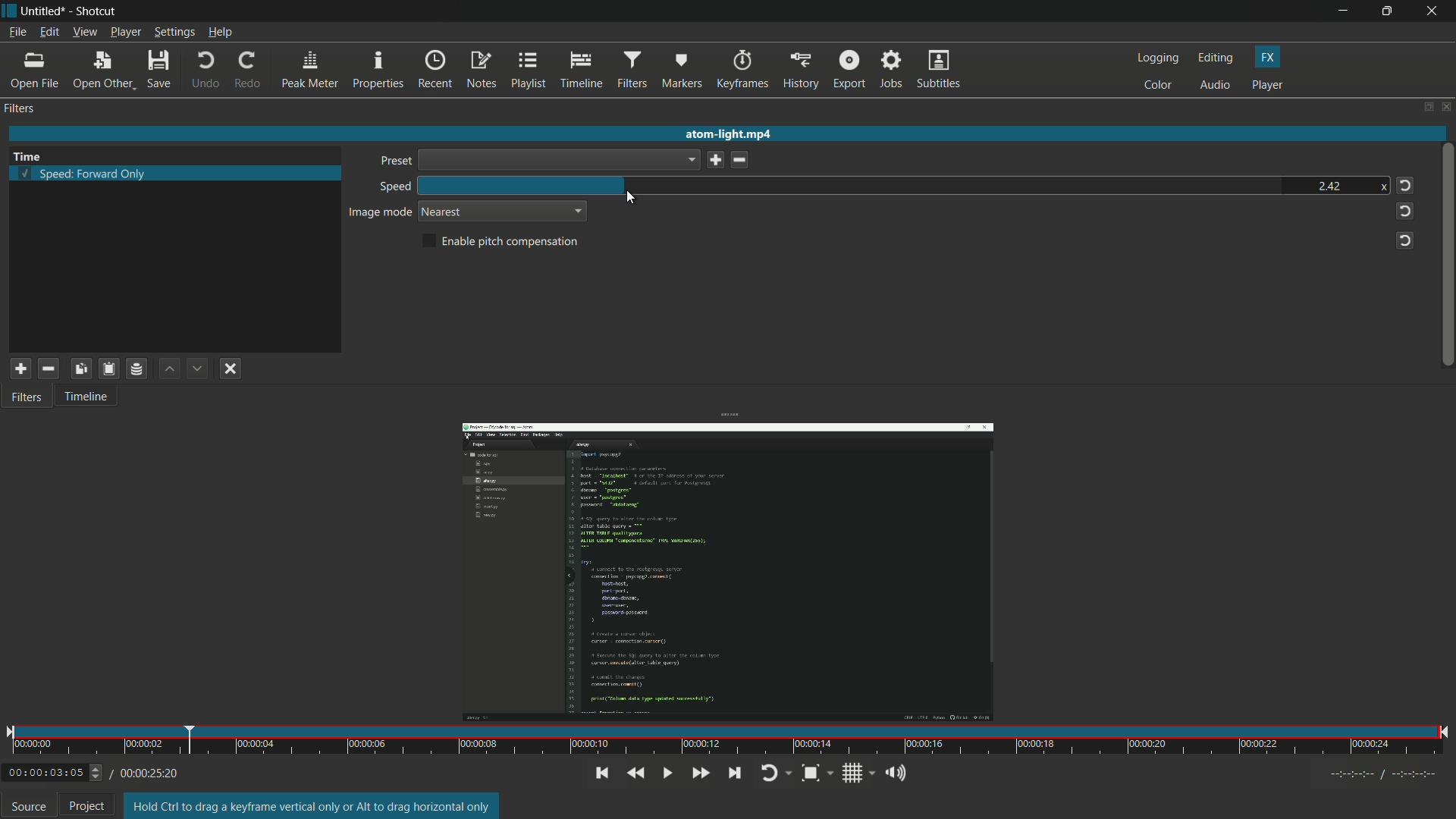 Image resolution: width=1456 pixels, height=819 pixels. I want to click on 00:00:03:05, so click(54, 771).